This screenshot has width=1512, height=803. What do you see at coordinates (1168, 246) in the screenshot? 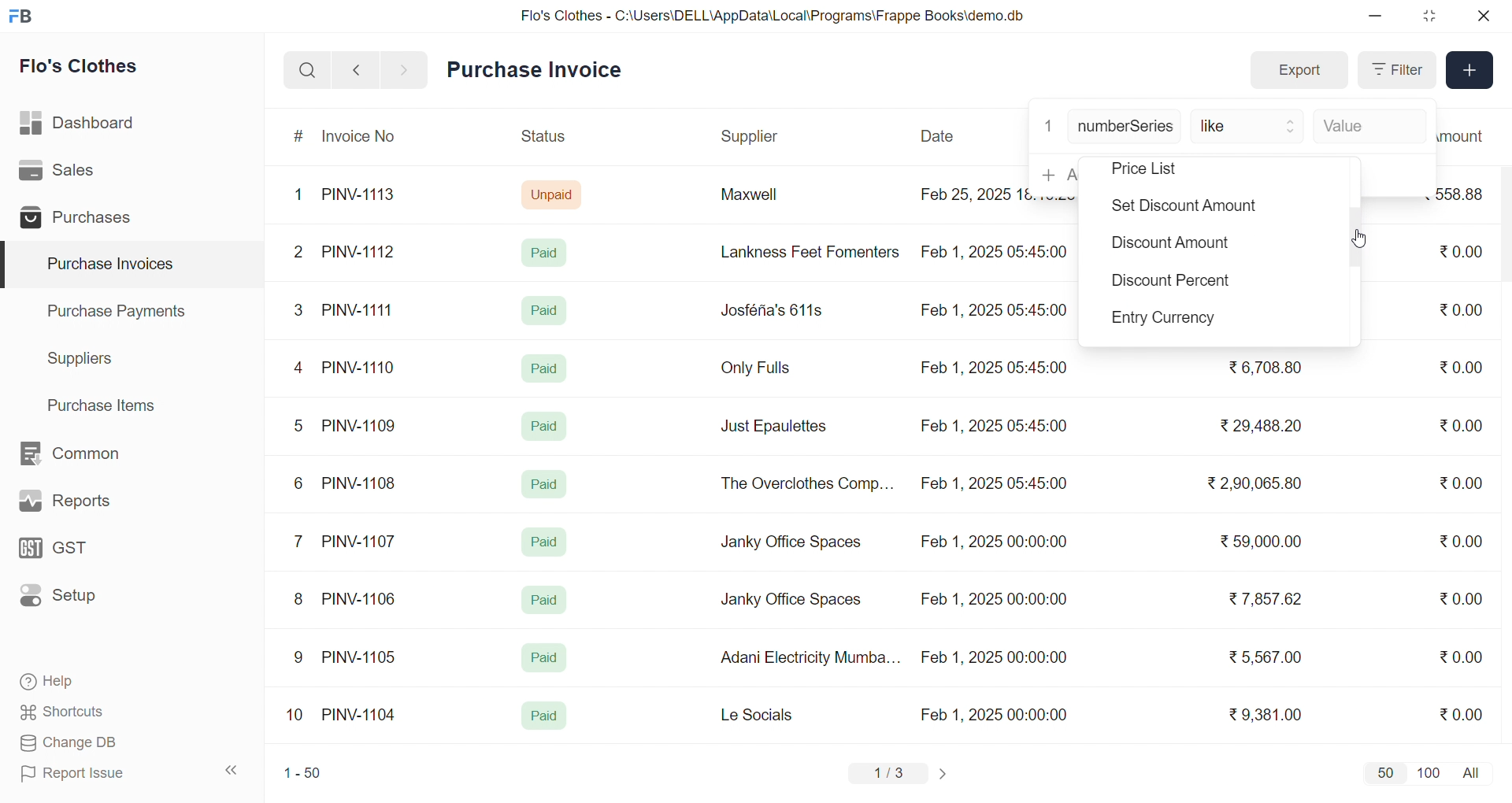
I see `Discount Amount` at bounding box center [1168, 246].